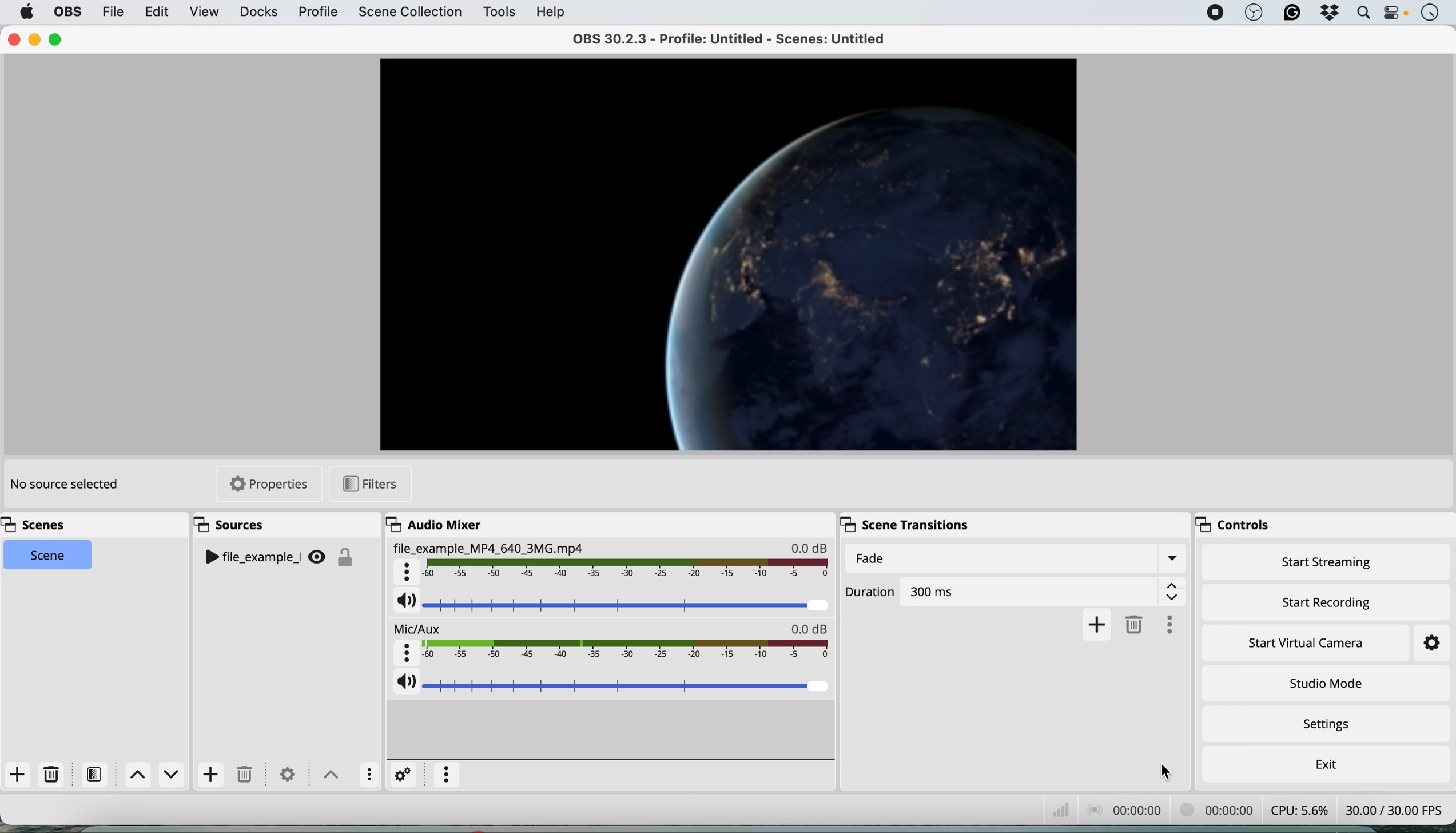 This screenshot has width=1456, height=833. What do you see at coordinates (612, 684) in the screenshot?
I see `mic aux audio volume` at bounding box center [612, 684].